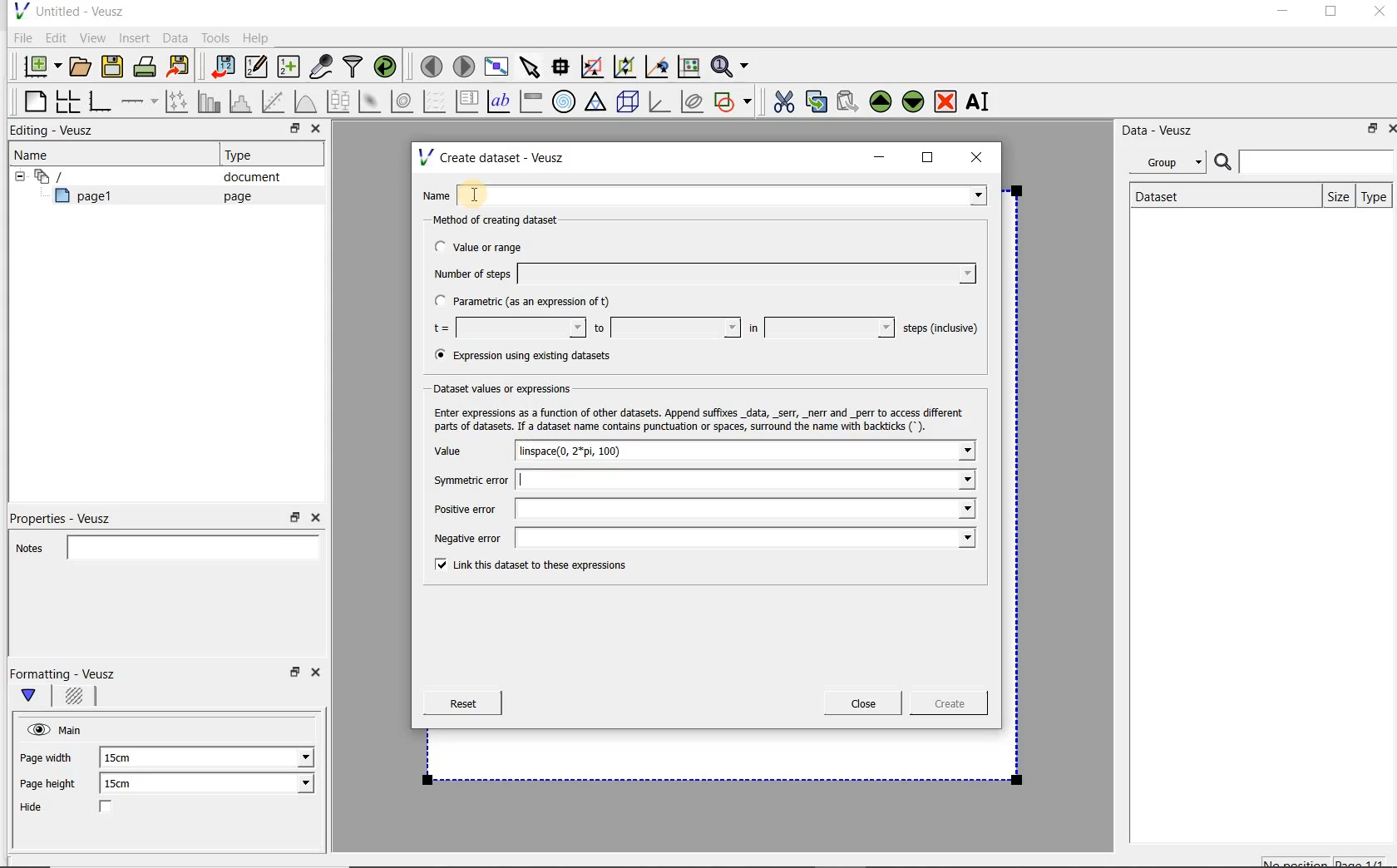  Describe the element at coordinates (531, 101) in the screenshot. I see `image color bar` at that location.